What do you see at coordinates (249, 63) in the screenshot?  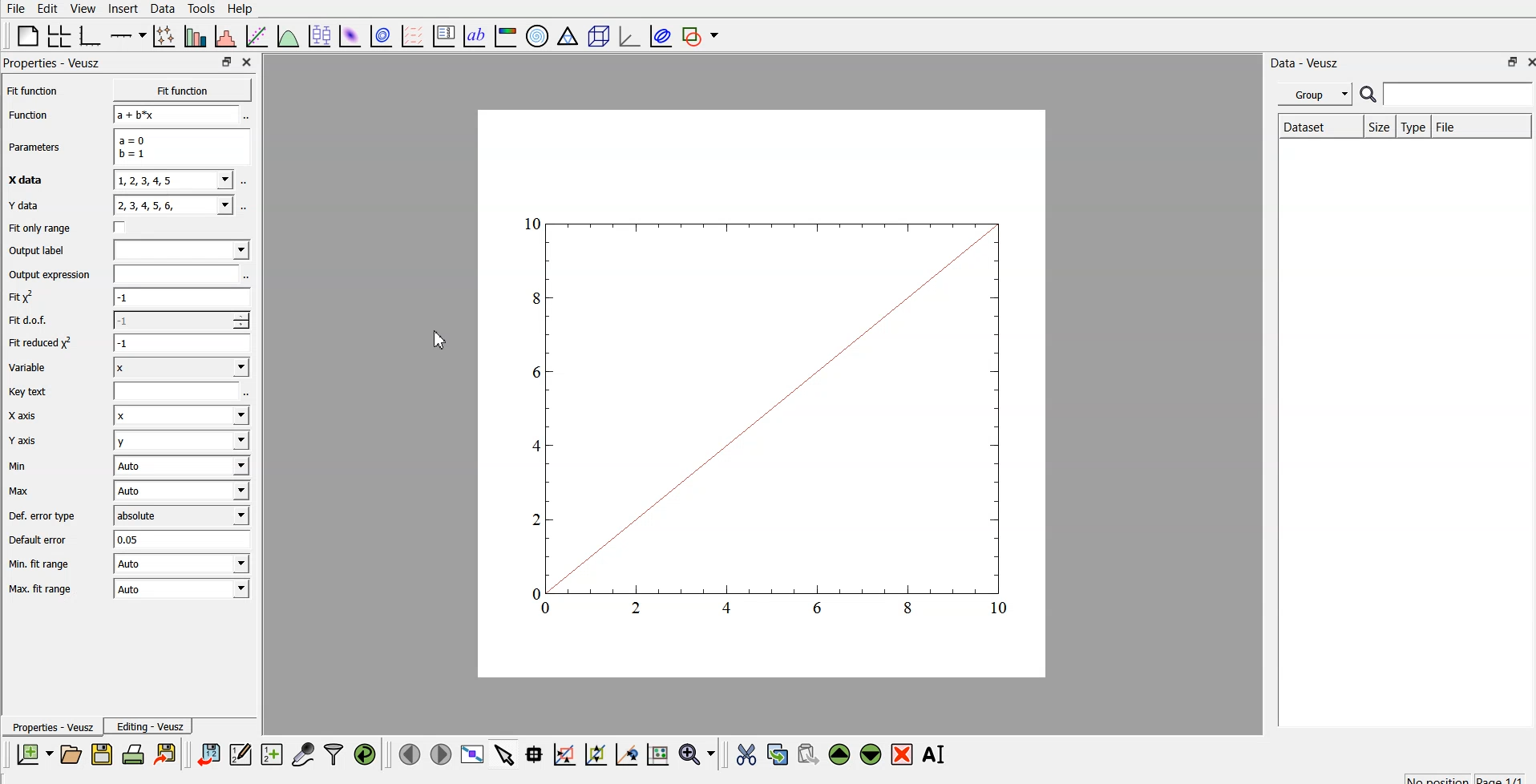 I see `close` at bounding box center [249, 63].